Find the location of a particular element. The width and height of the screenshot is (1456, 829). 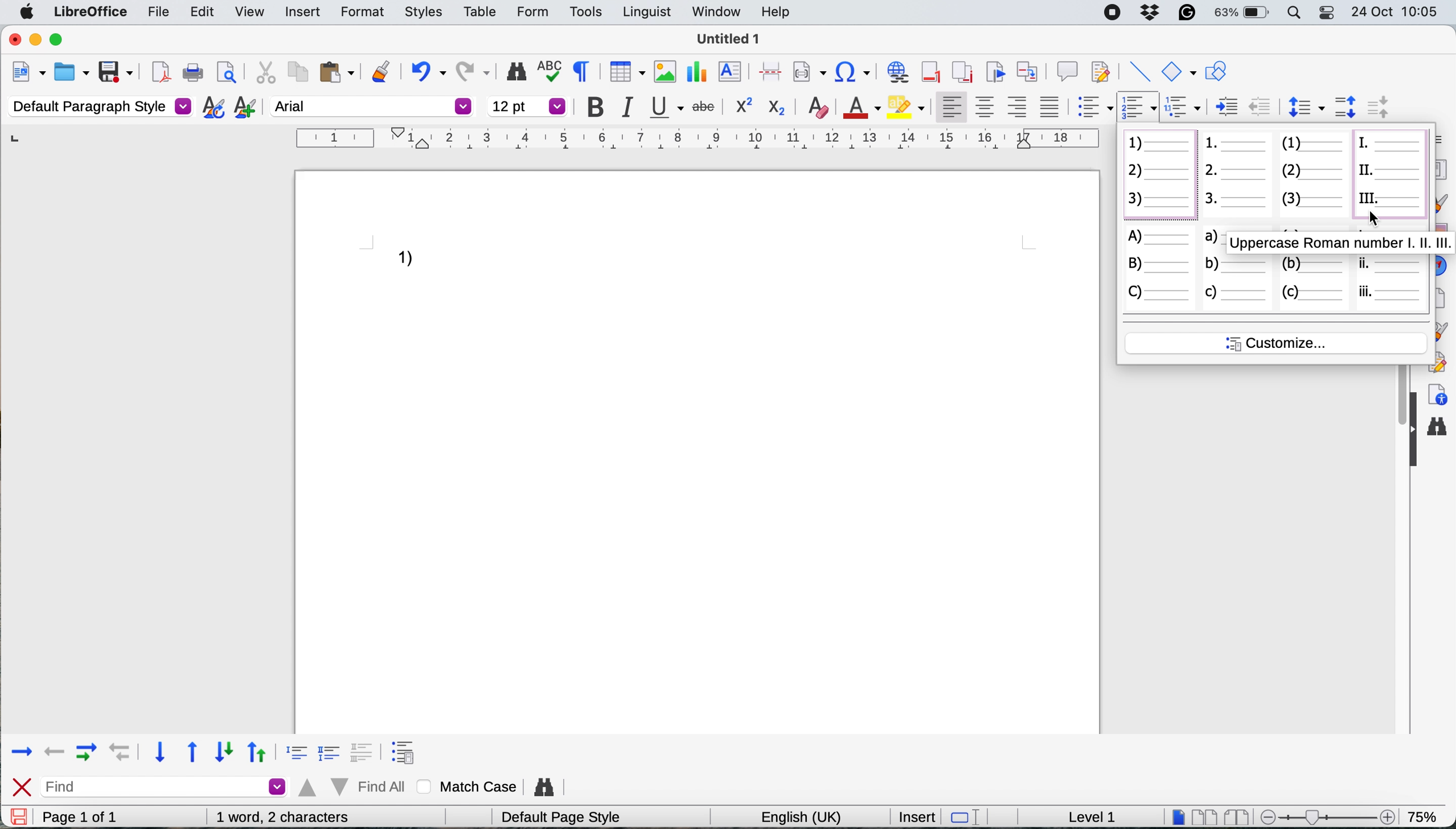

subscript is located at coordinates (776, 107).